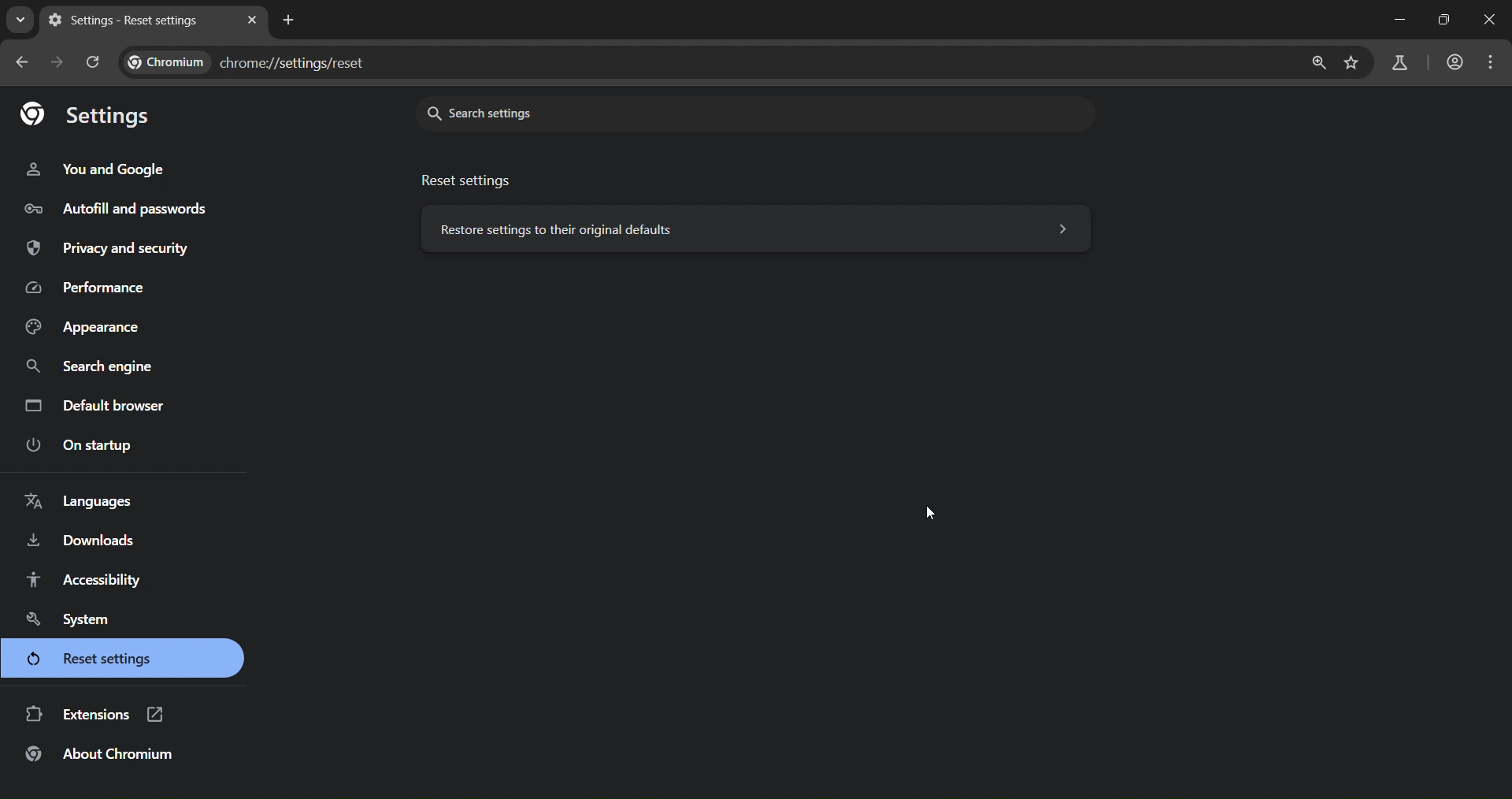  What do you see at coordinates (24, 61) in the screenshot?
I see `go back one page` at bounding box center [24, 61].